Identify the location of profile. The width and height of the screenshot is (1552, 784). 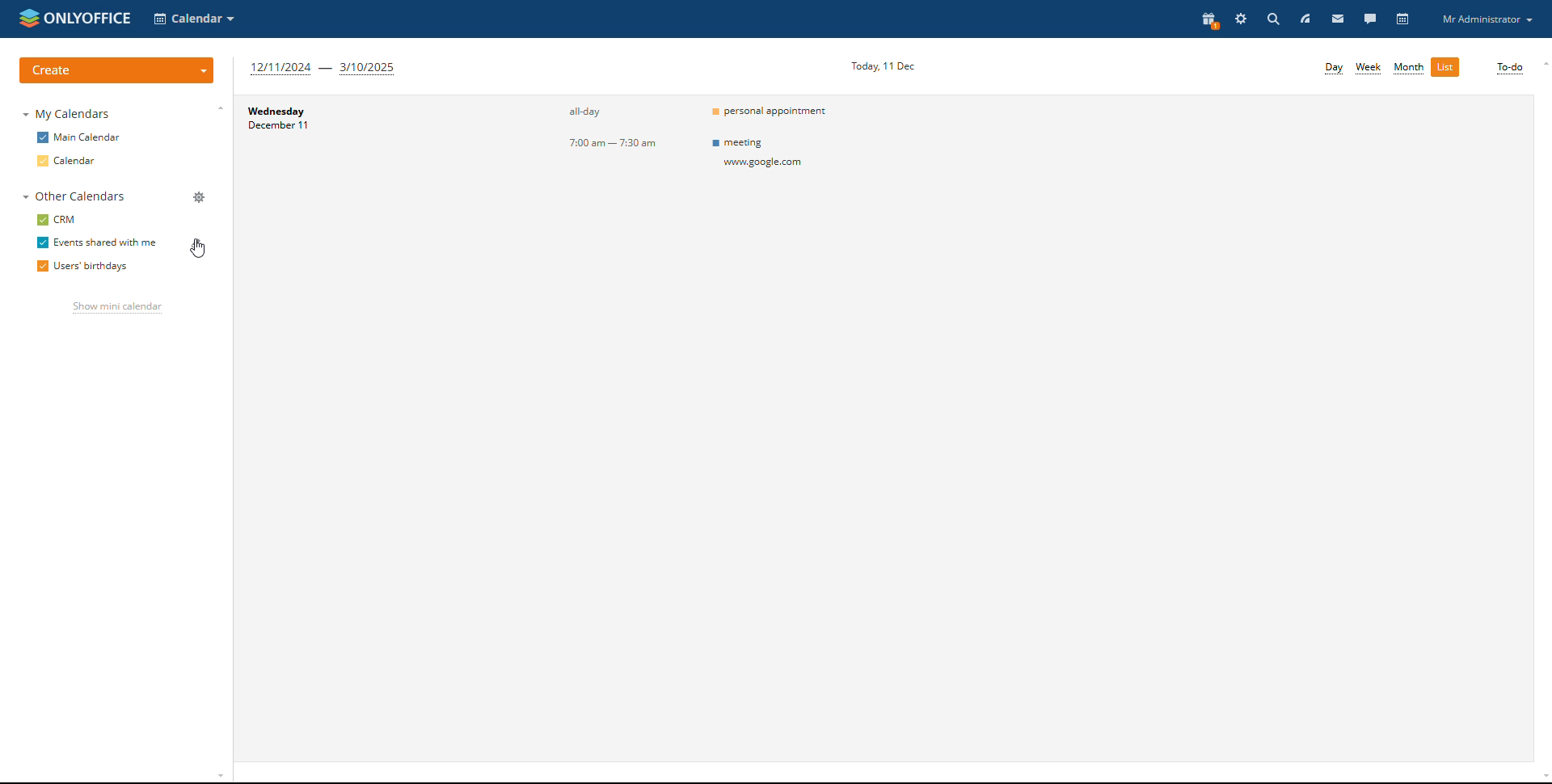
(1487, 19).